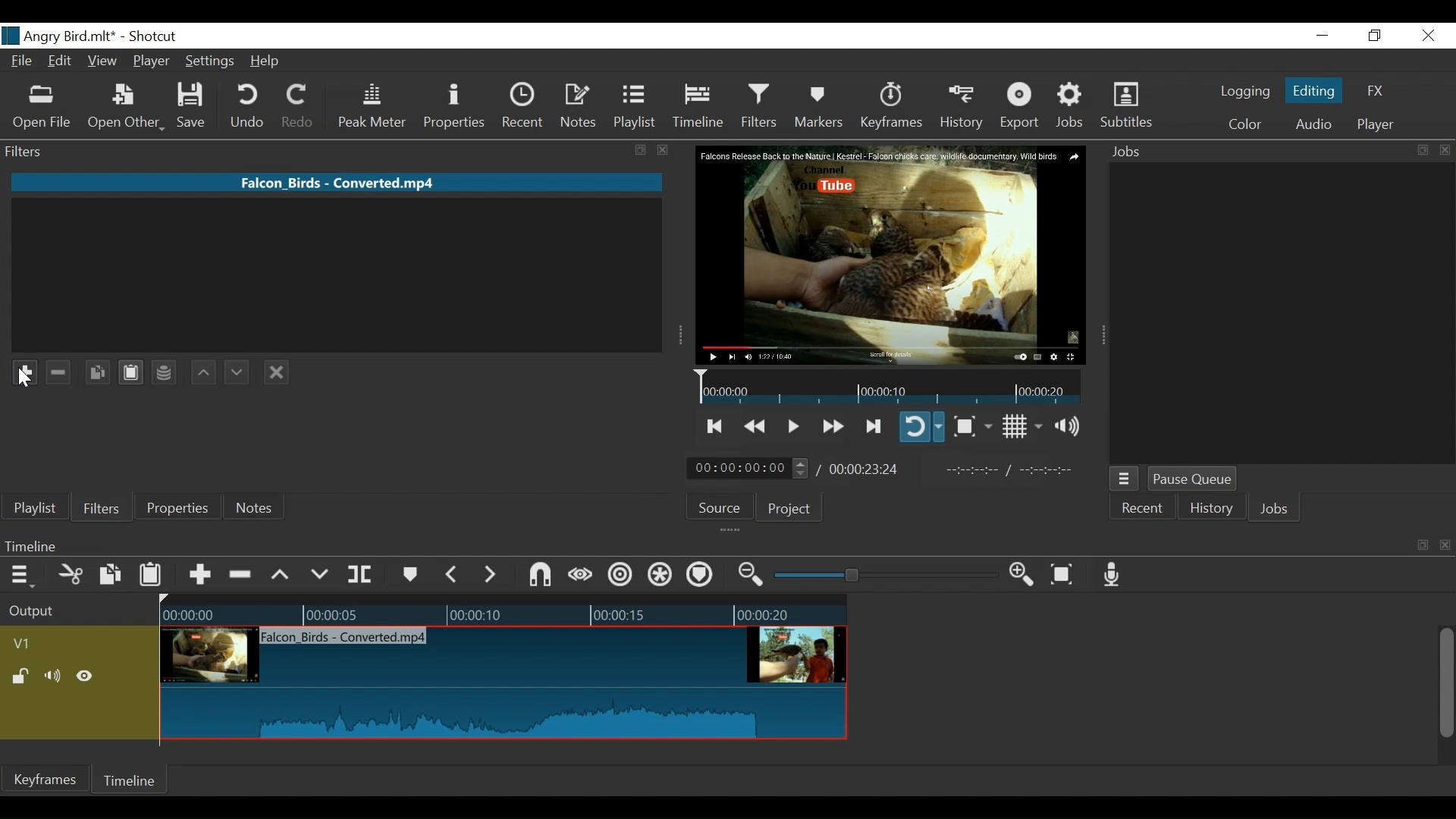  What do you see at coordinates (890, 386) in the screenshot?
I see `Timeline` at bounding box center [890, 386].